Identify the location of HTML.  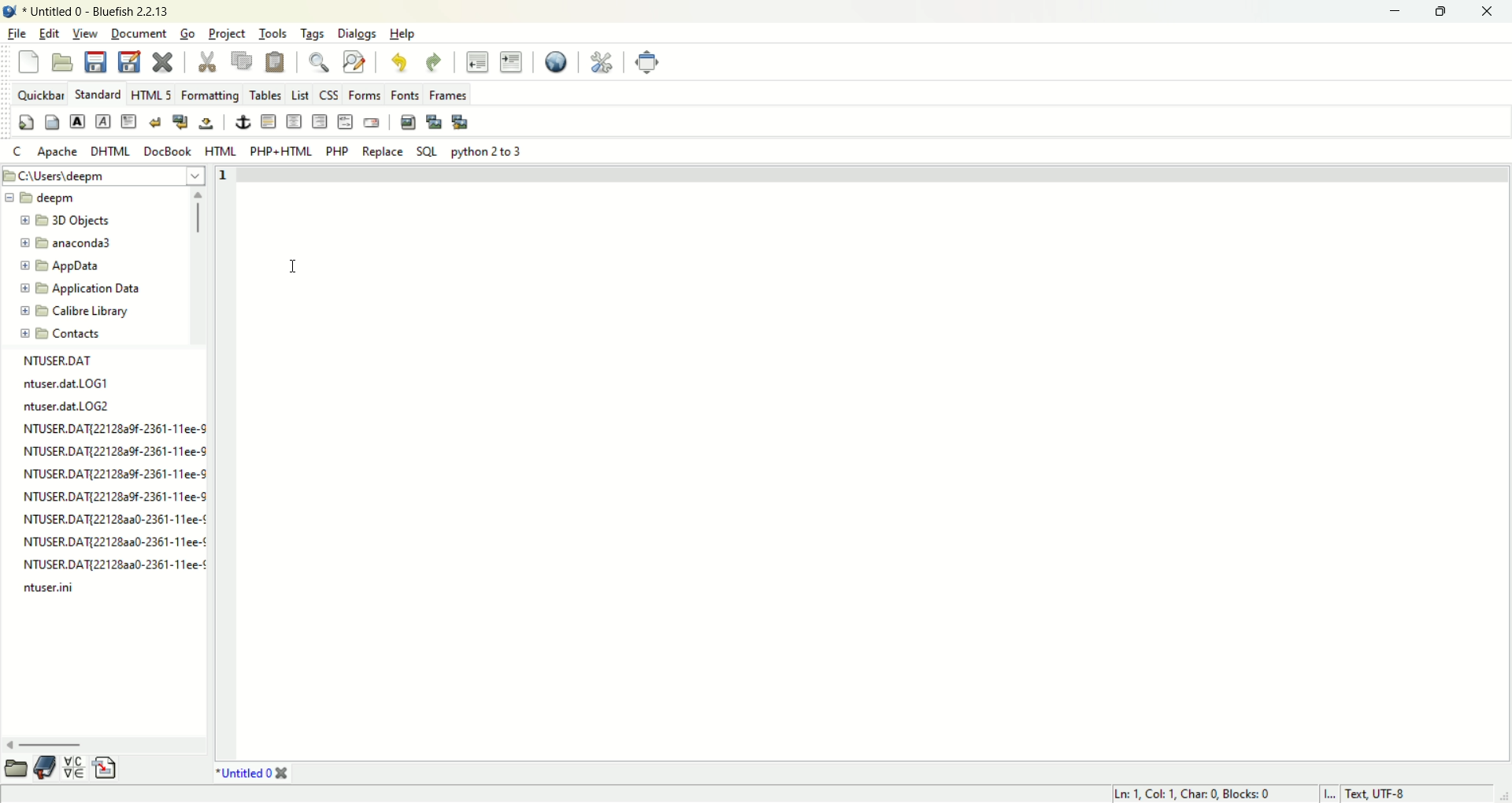
(151, 94).